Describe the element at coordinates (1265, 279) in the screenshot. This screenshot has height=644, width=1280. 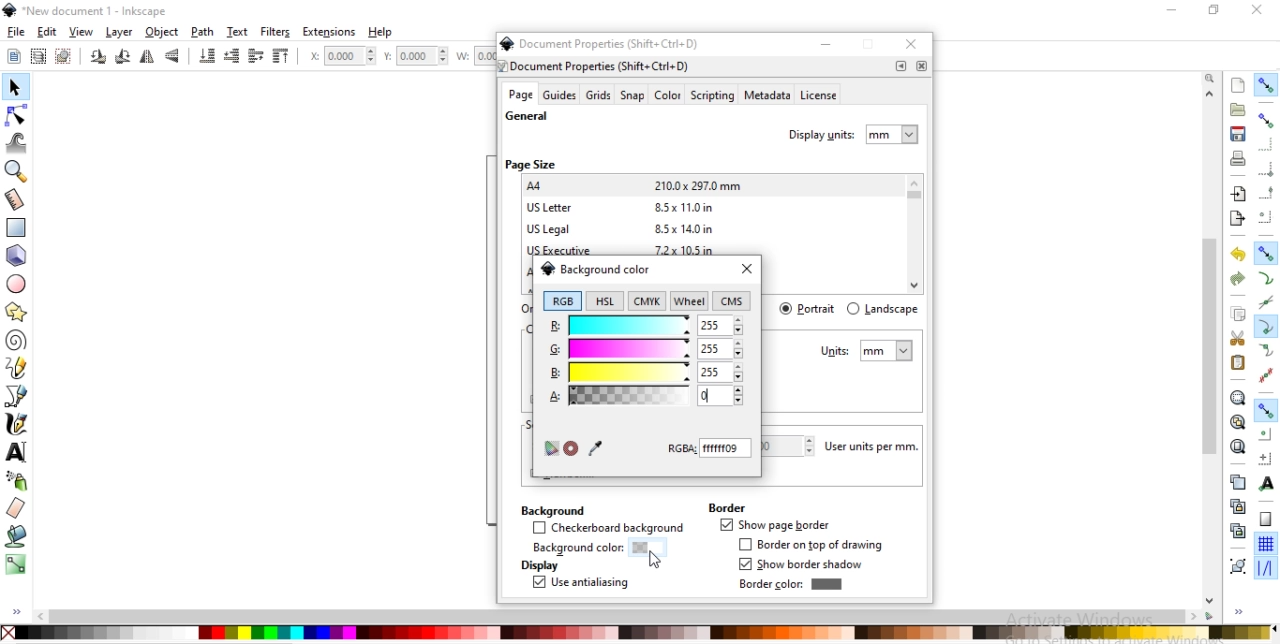
I see `snap to paths` at that location.